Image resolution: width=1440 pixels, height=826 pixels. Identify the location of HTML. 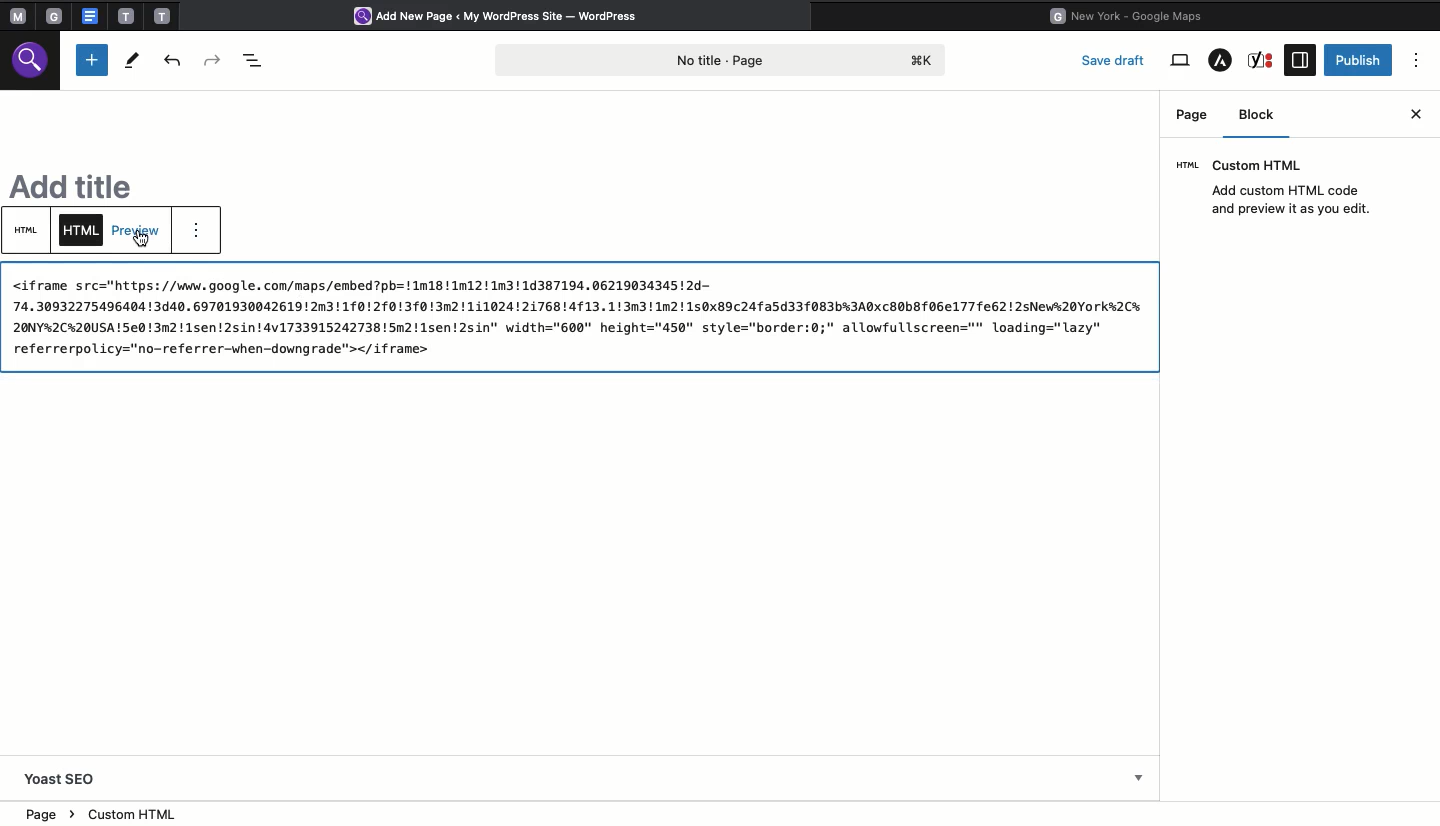
(82, 231).